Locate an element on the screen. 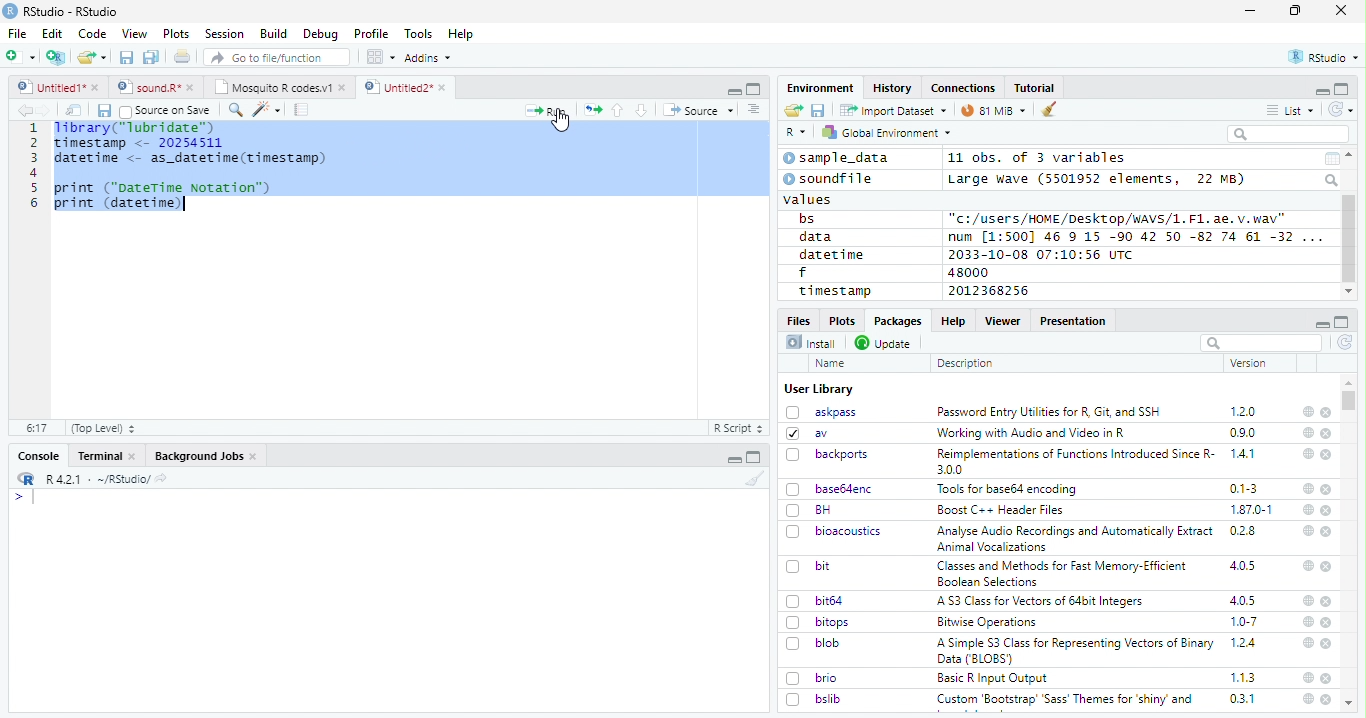 This screenshot has width=1366, height=718. backports is located at coordinates (830, 455).